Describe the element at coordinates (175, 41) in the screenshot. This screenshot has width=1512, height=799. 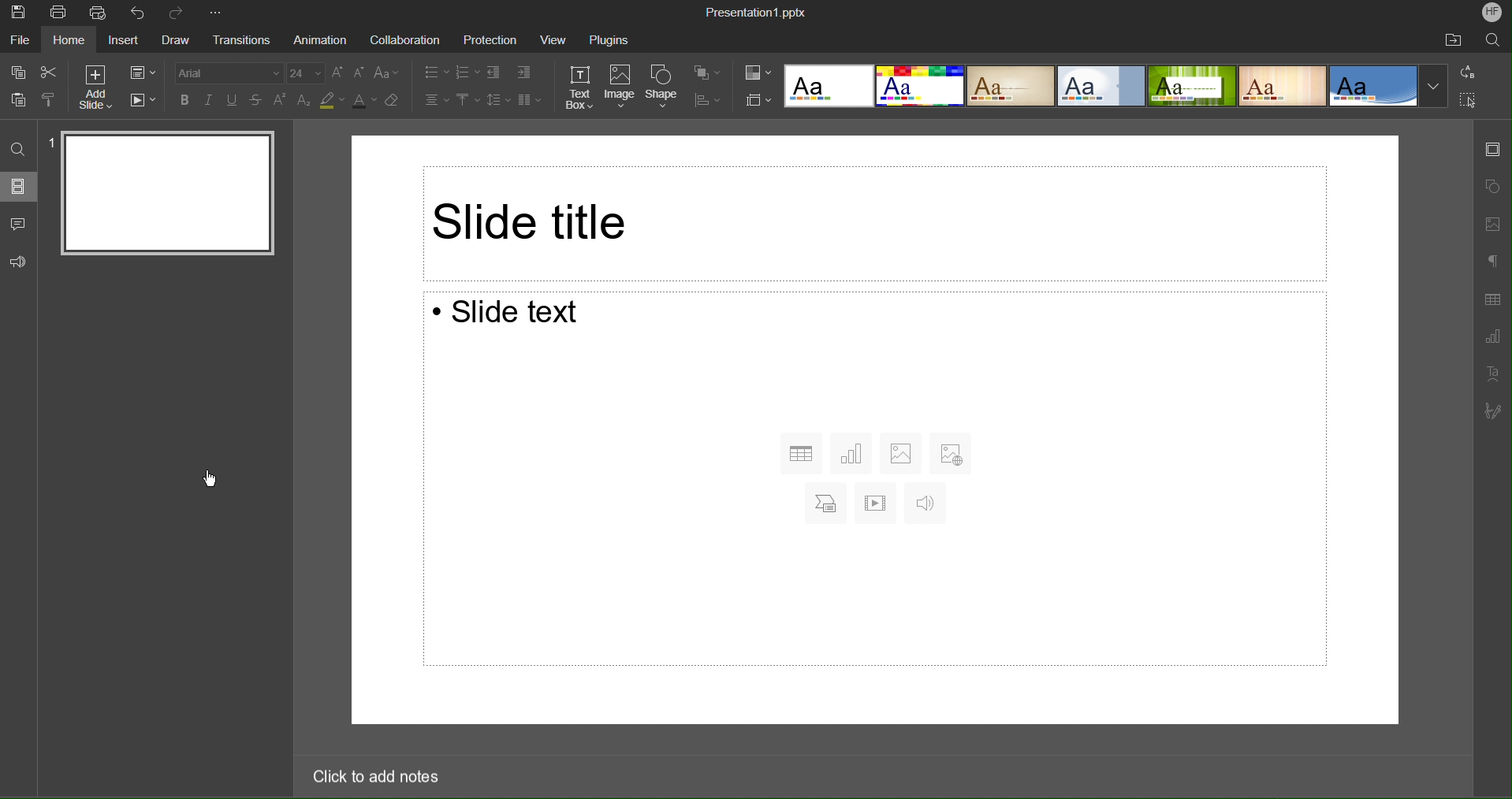
I see `Draw` at that location.